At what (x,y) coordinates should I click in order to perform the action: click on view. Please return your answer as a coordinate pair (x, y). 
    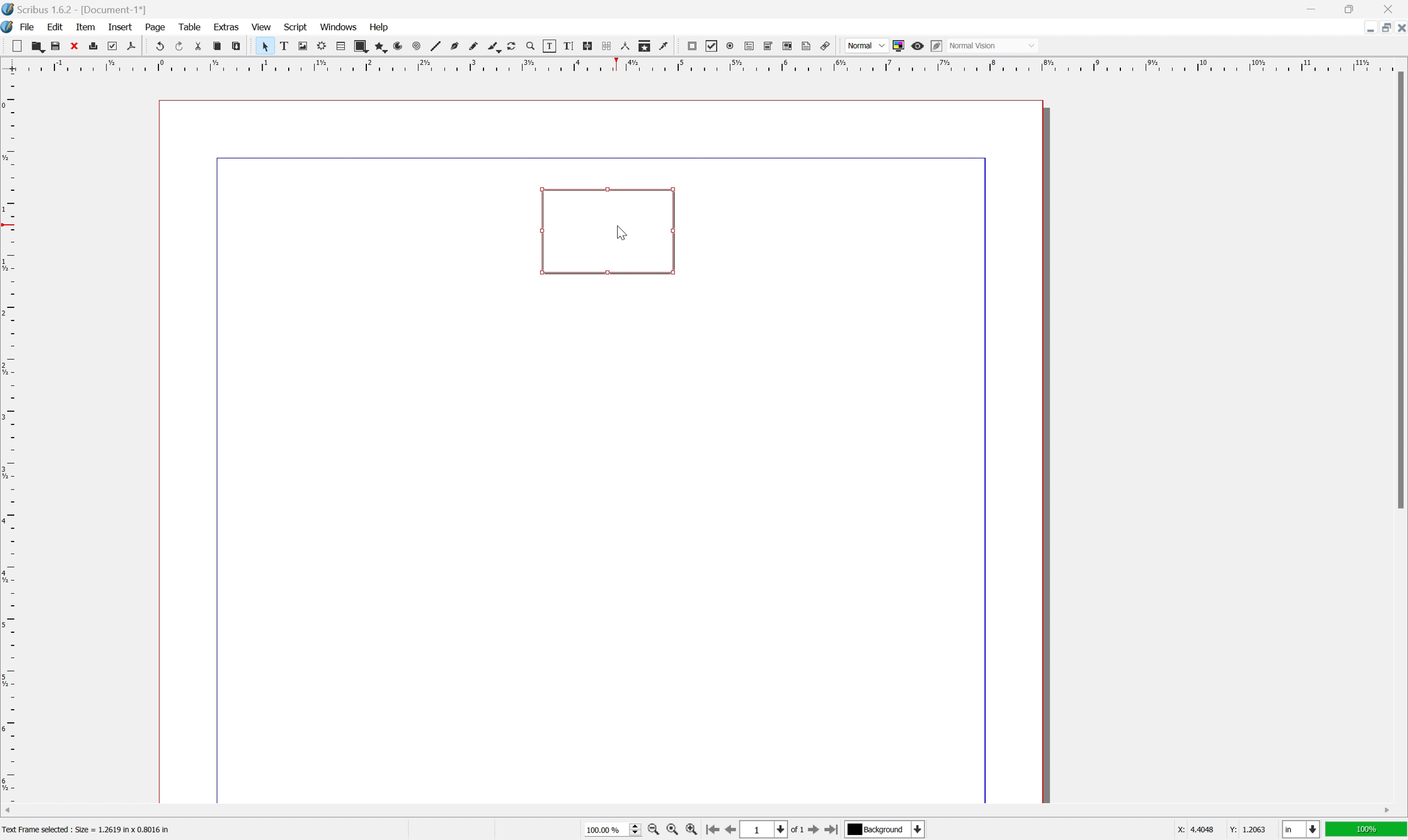
    Looking at the image, I should click on (262, 26).